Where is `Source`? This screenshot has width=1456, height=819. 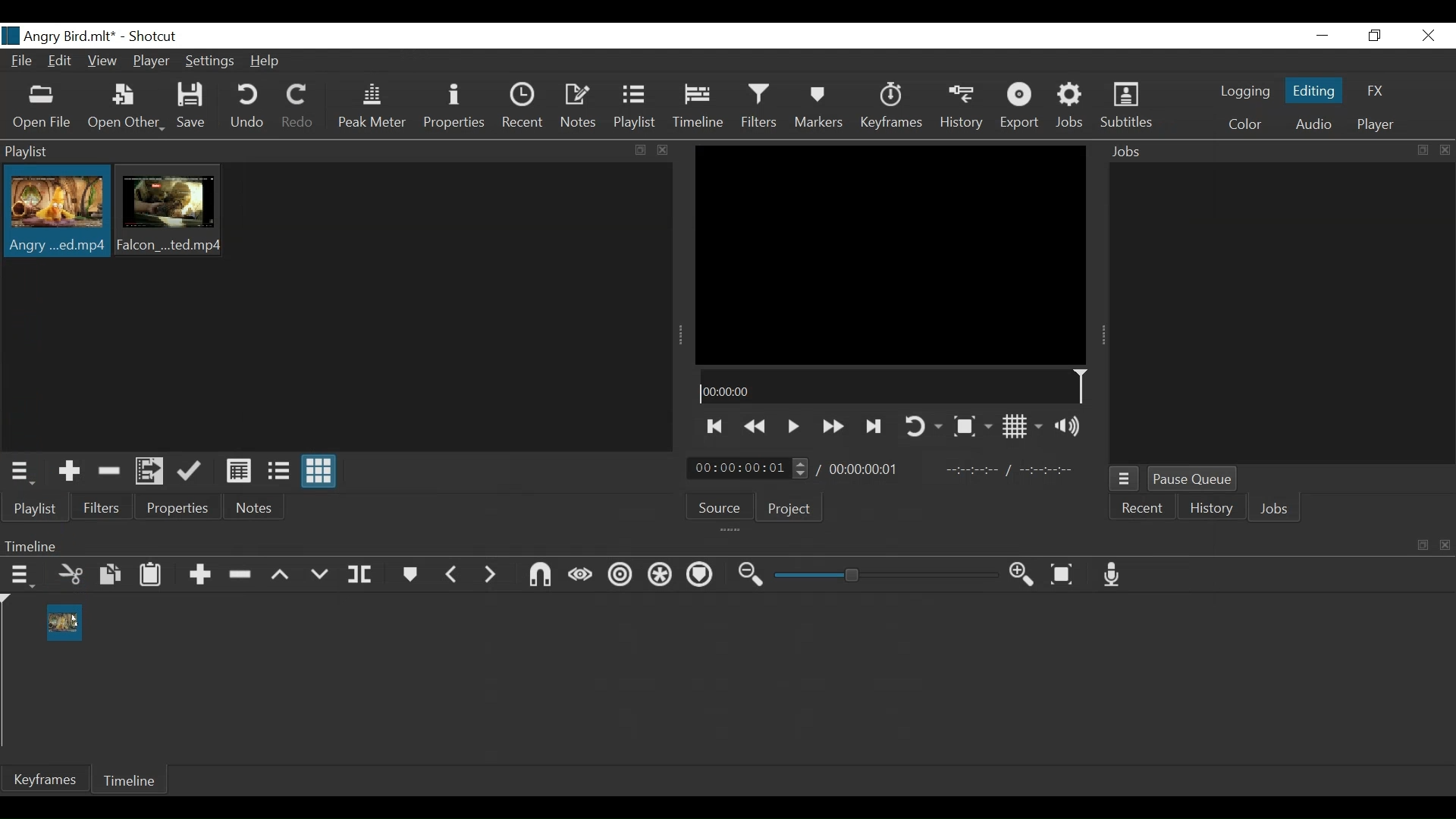 Source is located at coordinates (720, 507).